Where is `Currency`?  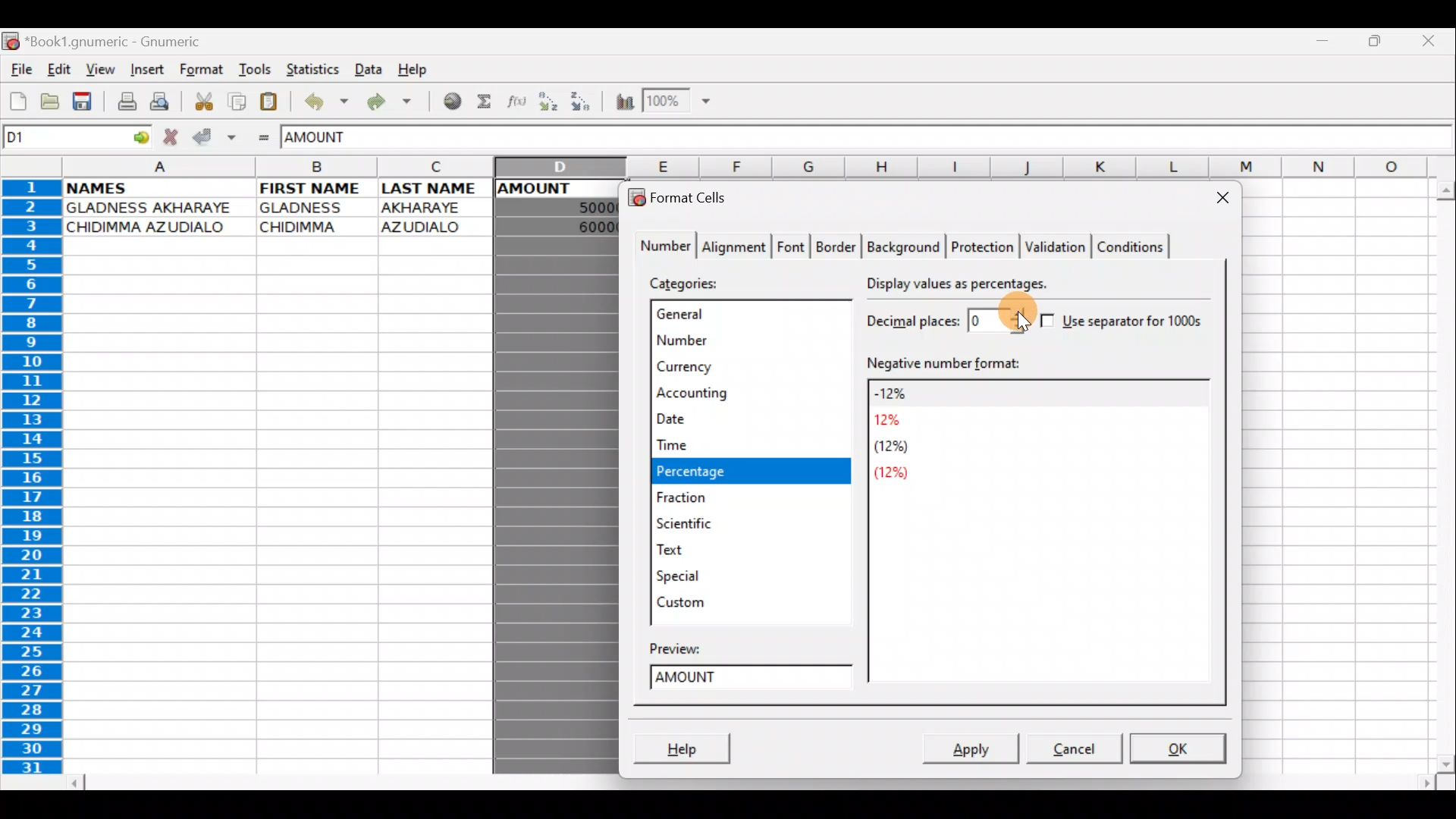
Currency is located at coordinates (730, 366).